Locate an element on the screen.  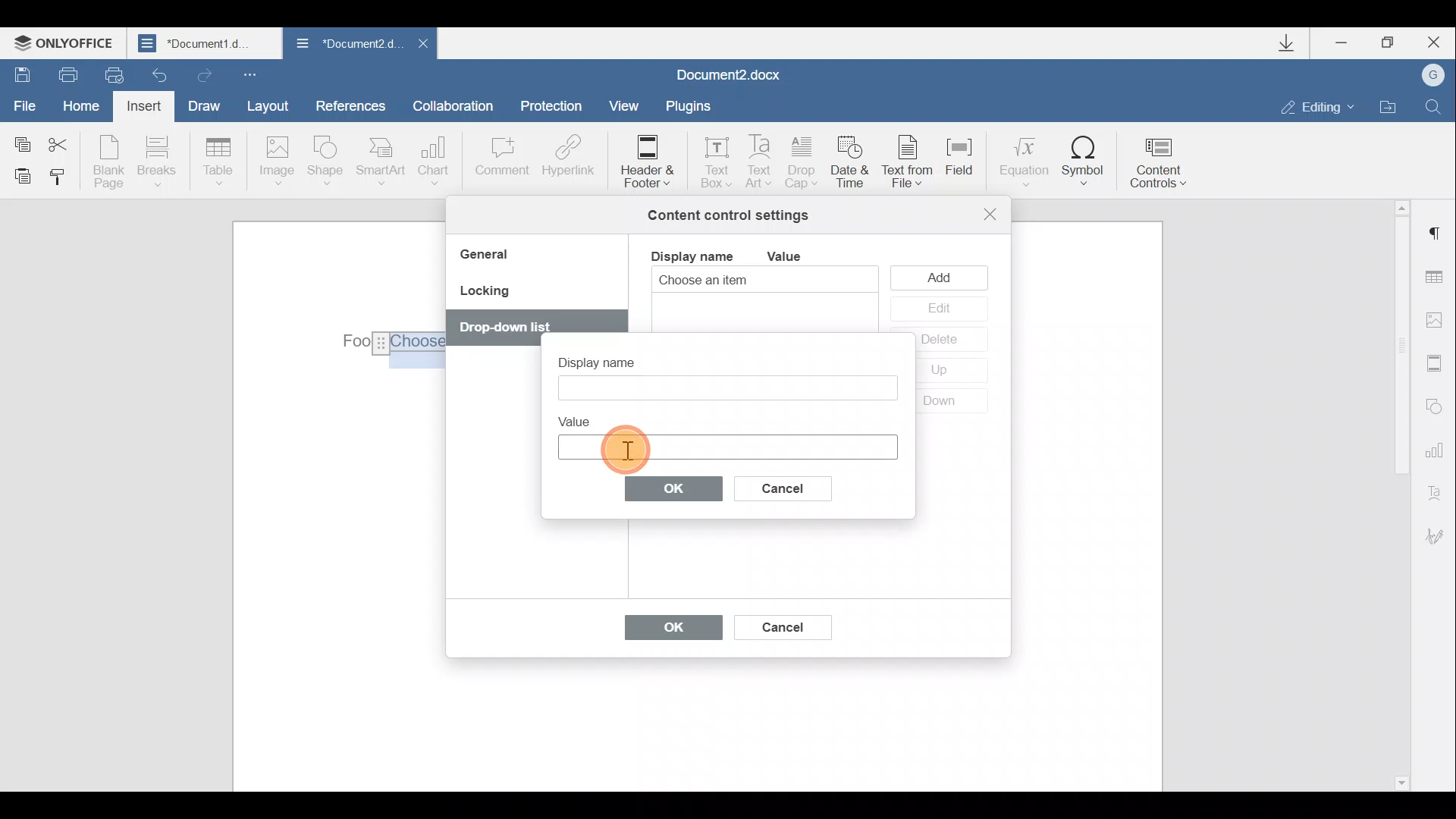
Close is located at coordinates (990, 214).